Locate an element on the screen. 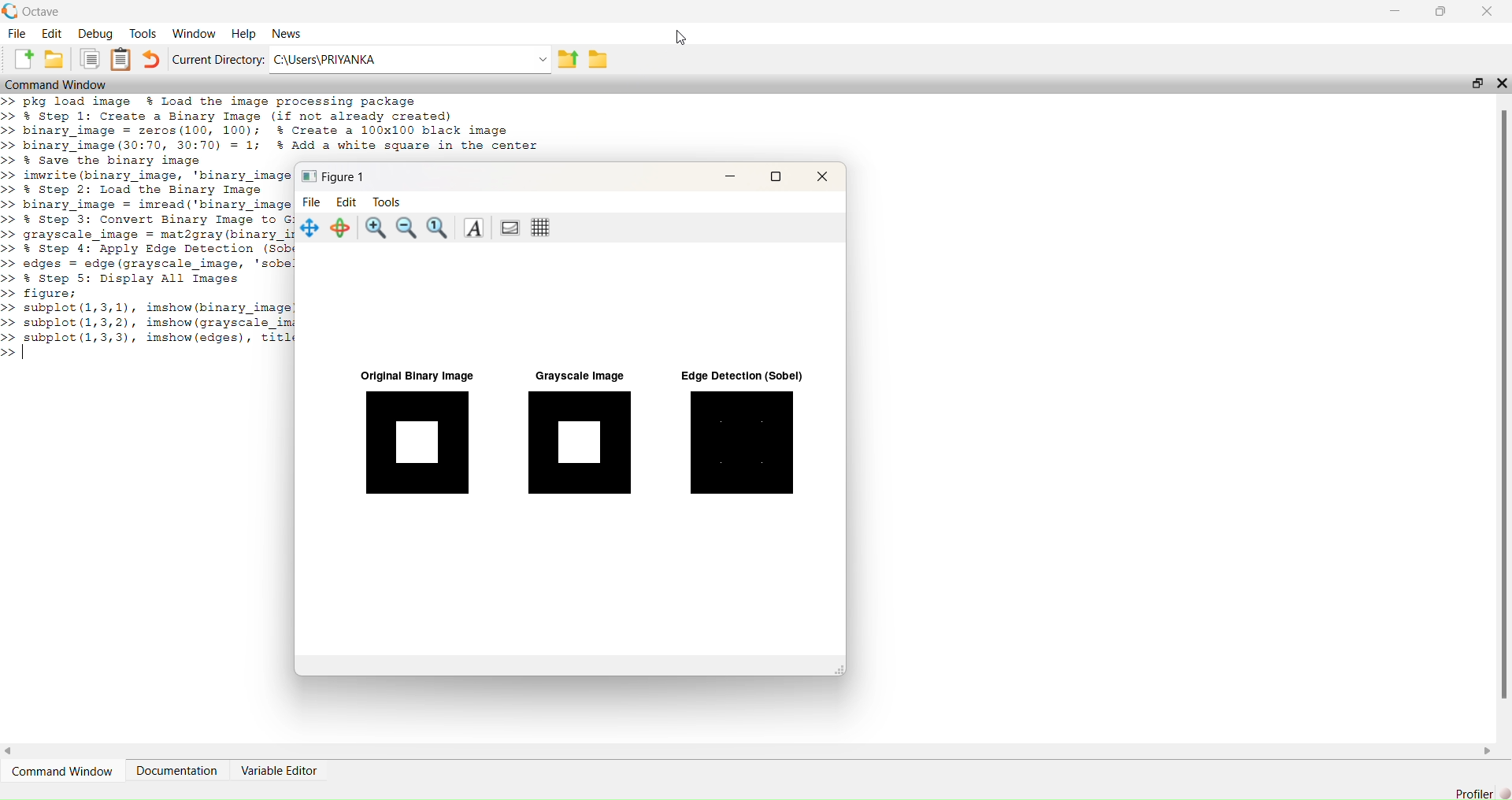 Image resolution: width=1512 pixels, height=800 pixels. imwrite (binary image, 'binary image
% Step 2: Load the Binary Image
binary image = imread('binary image is located at coordinates (156, 190).